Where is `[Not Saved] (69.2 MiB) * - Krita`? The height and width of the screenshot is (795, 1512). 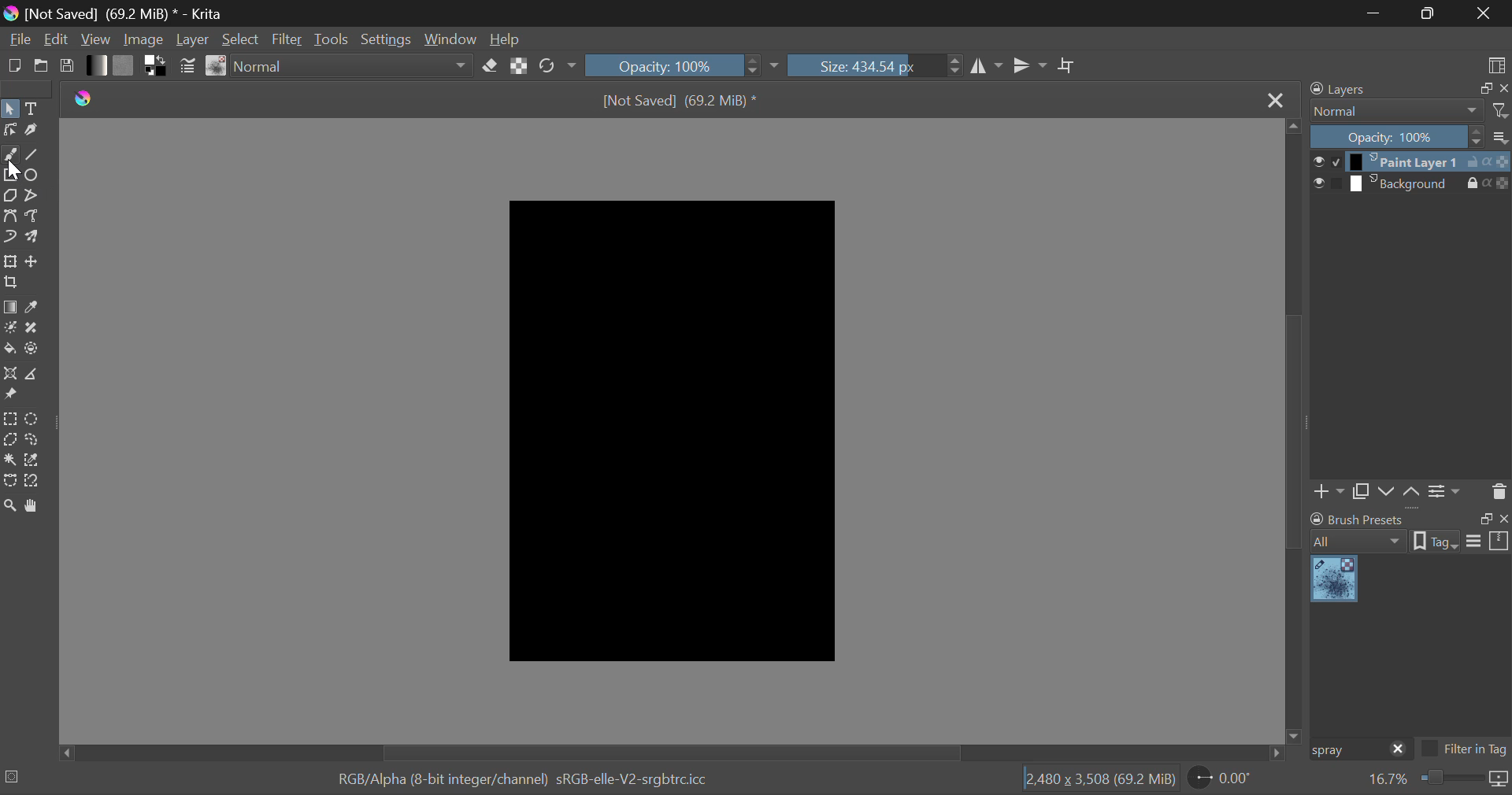
[Not Saved] (69.2 MiB) * - Krita is located at coordinates (131, 13).